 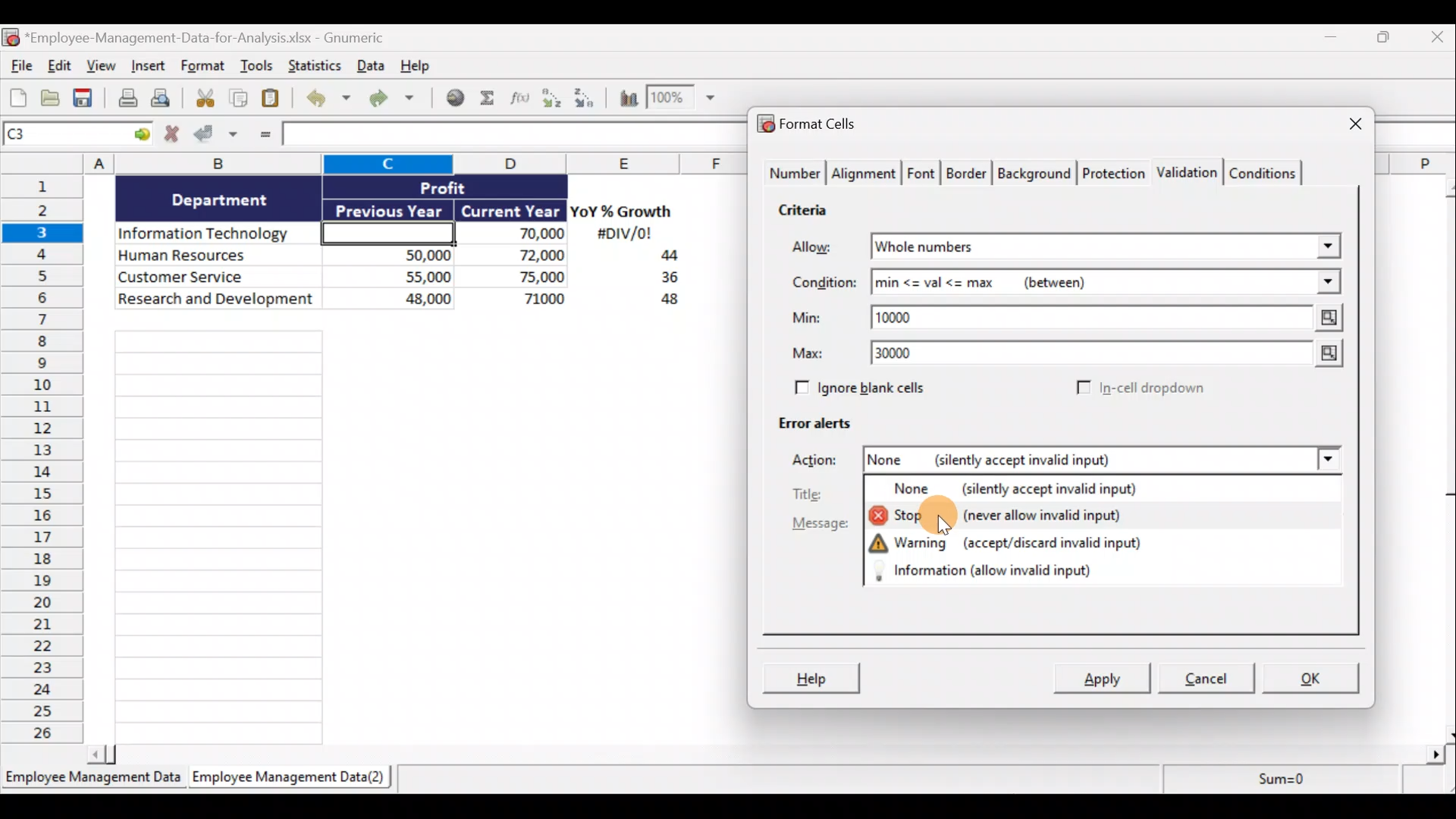 What do you see at coordinates (1325, 318) in the screenshot?
I see `Min value` at bounding box center [1325, 318].